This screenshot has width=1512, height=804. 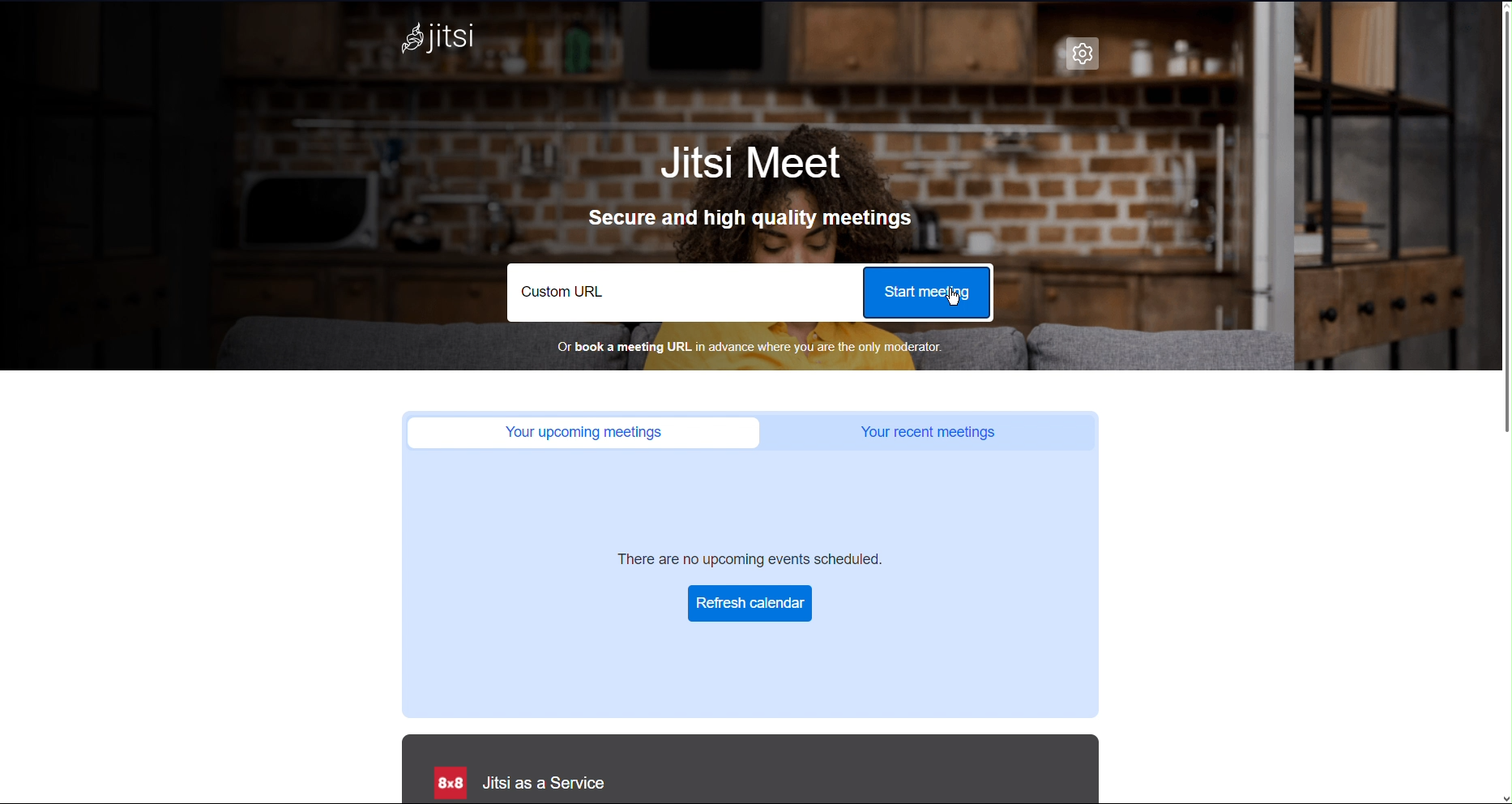 What do you see at coordinates (516, 783) in the screenshot?
I see `Jitsi as a Service` at bounding box center [516, 783].